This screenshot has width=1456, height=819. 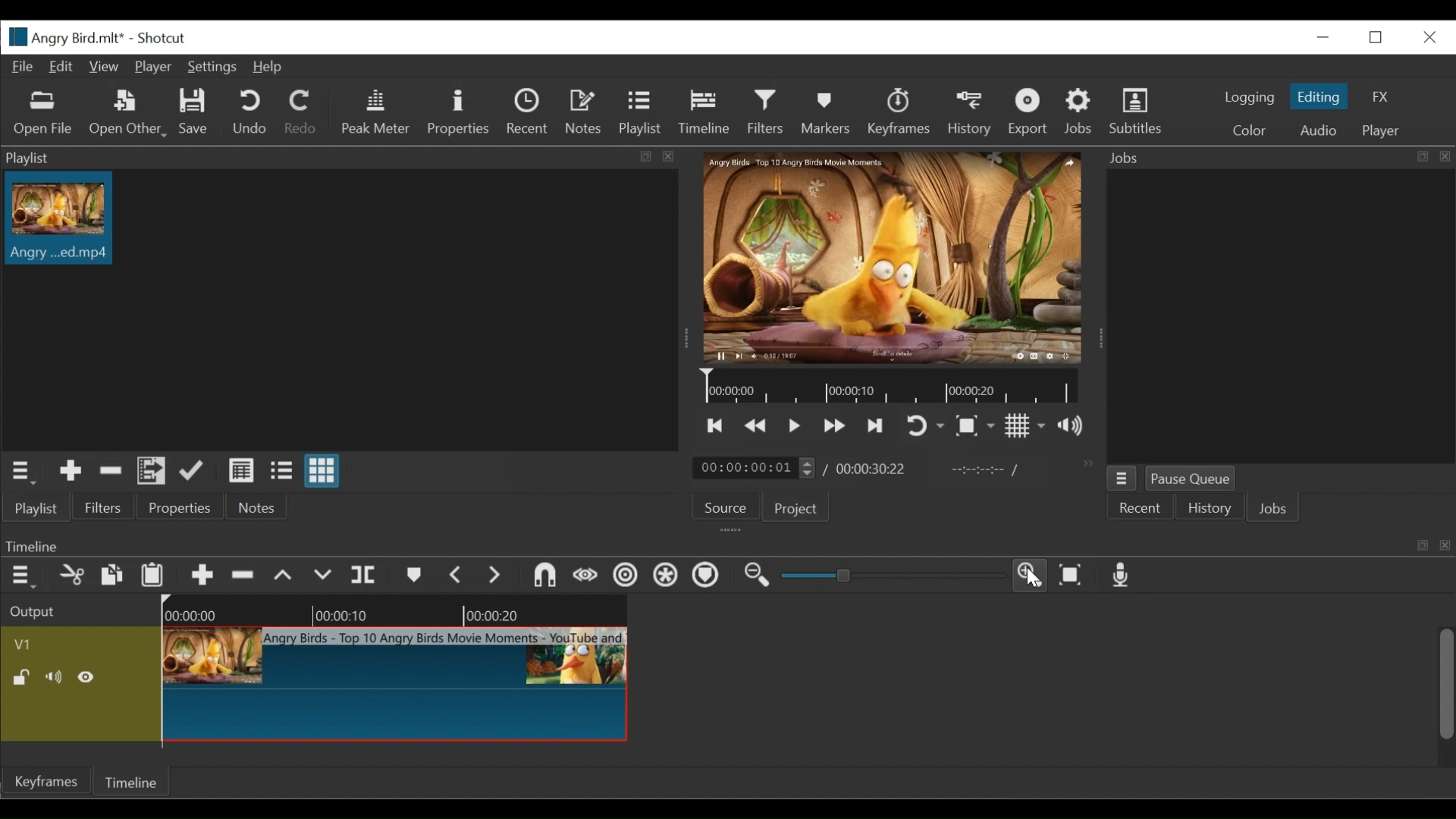 What do you see at coordinates (243, 573) in the screenshot?
I see `Remove cut` at bounding box center [243, 573].